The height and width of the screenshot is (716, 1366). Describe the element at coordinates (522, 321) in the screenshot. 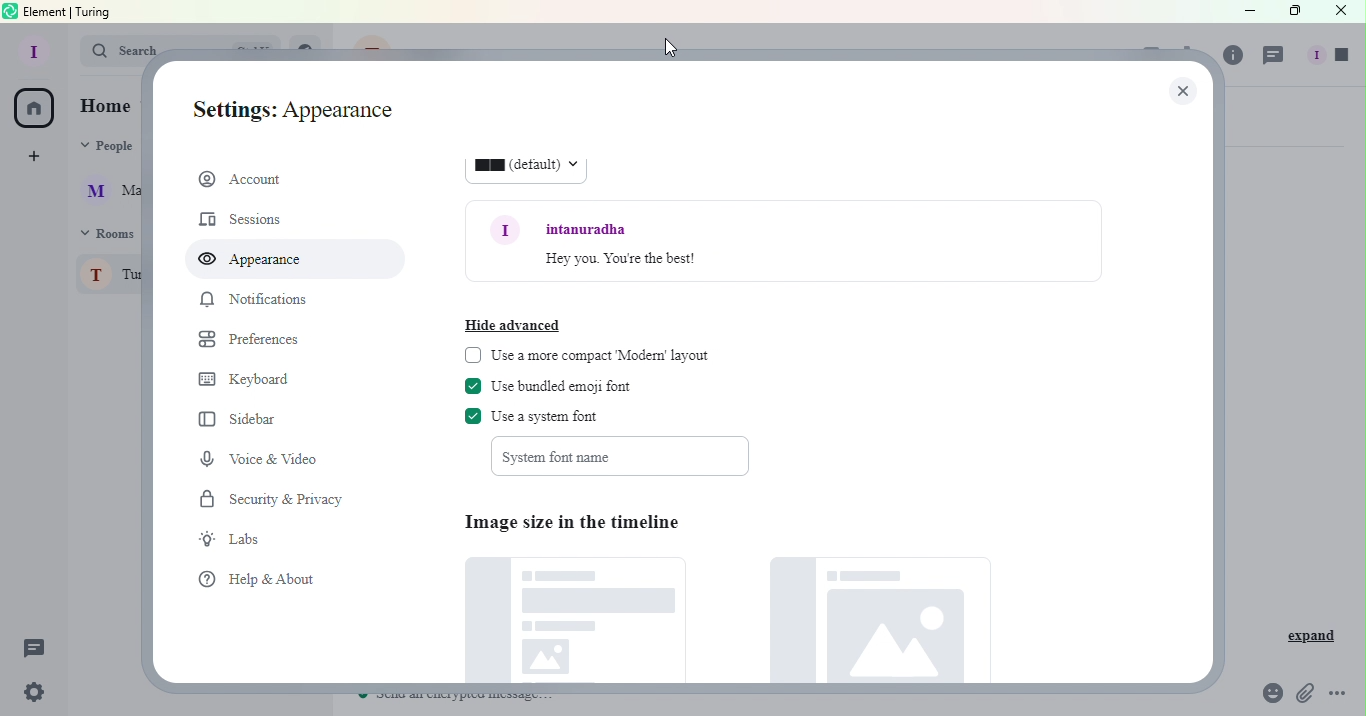

I see `Hide advanced` at that location.